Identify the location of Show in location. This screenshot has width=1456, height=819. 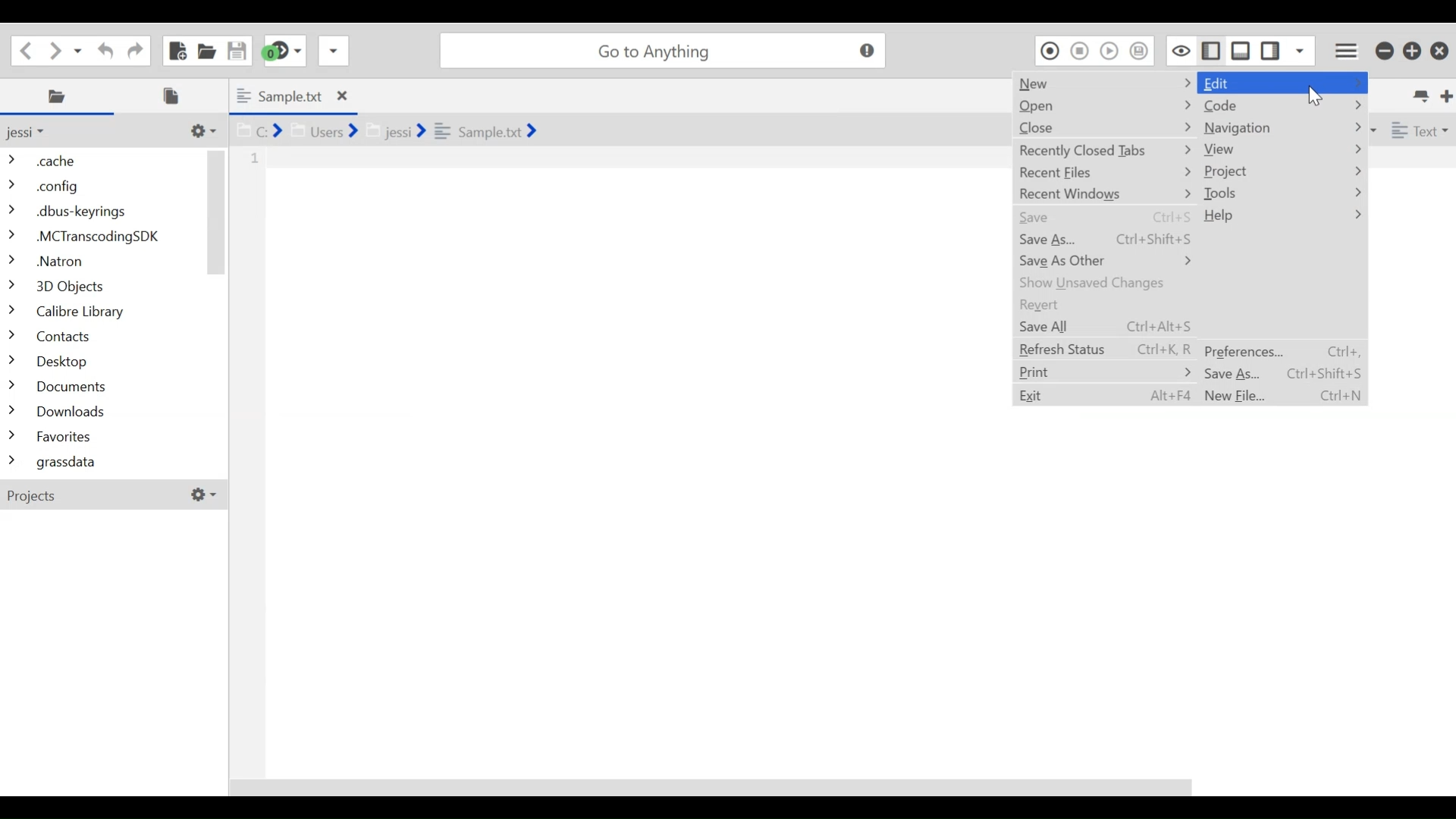
(384, 129).